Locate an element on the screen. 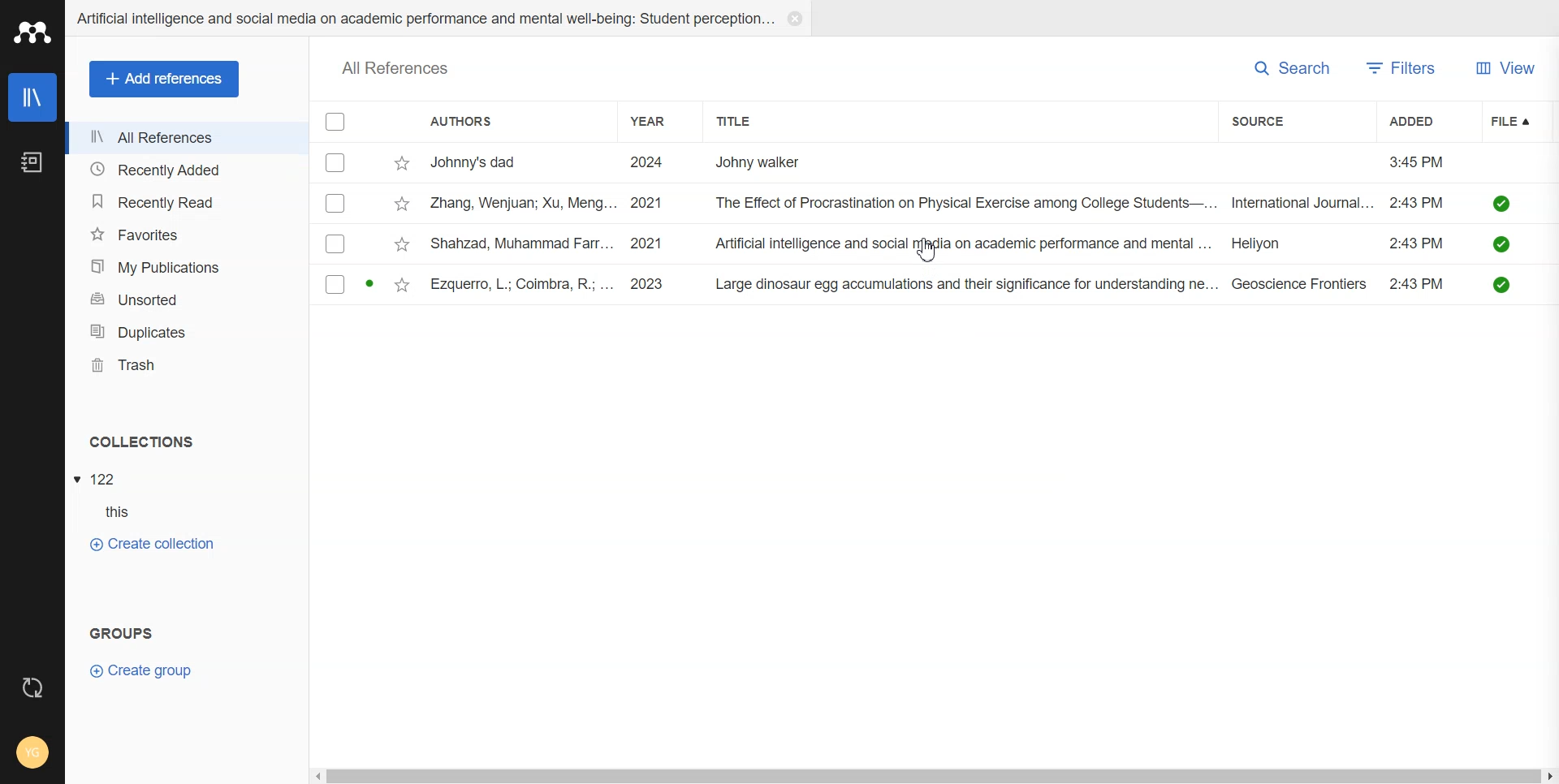 This screenshot has width=1559, height=784. Checkbox is located at coordinates (337, 121).